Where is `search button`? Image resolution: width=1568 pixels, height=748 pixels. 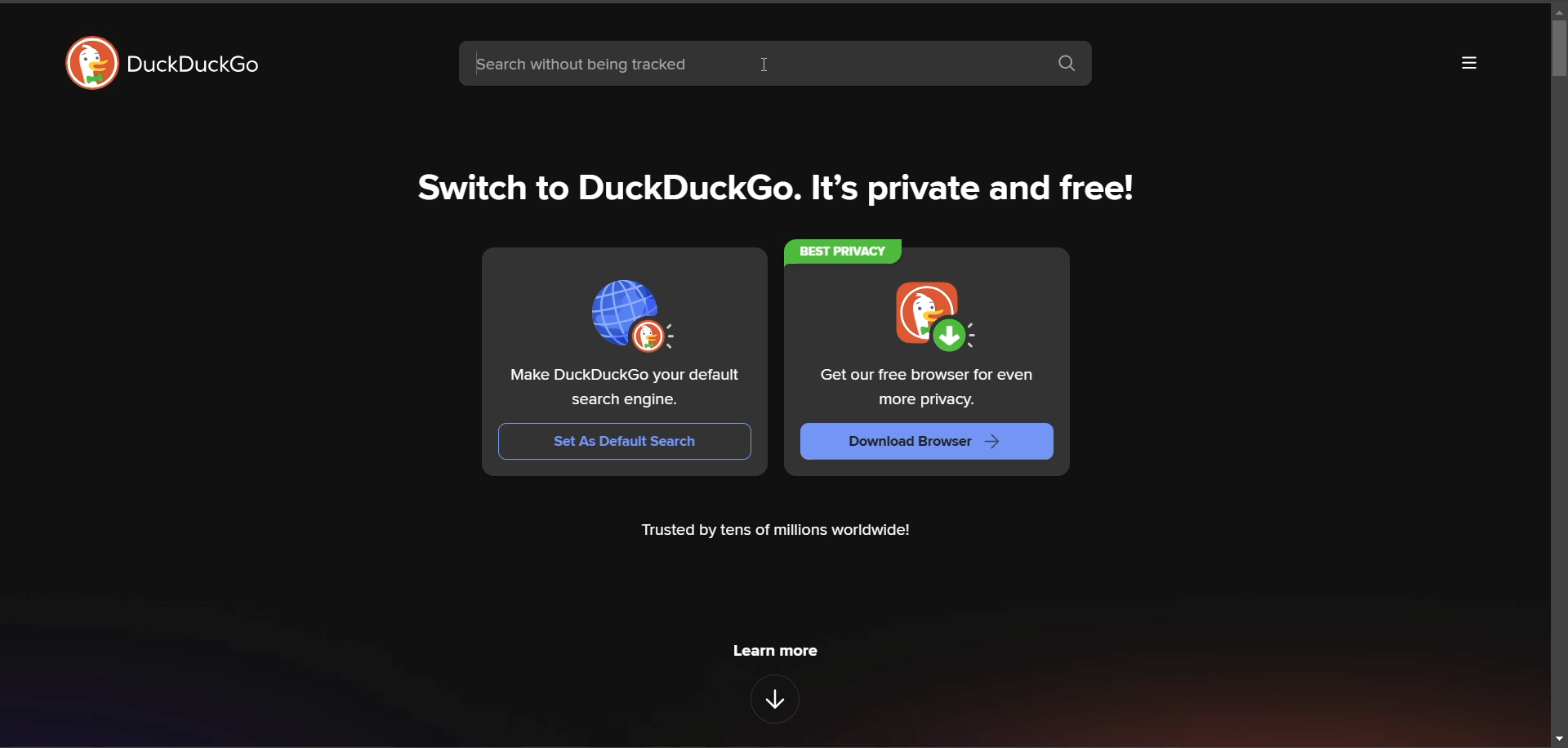
search button is located at coordinates (1067, 65).